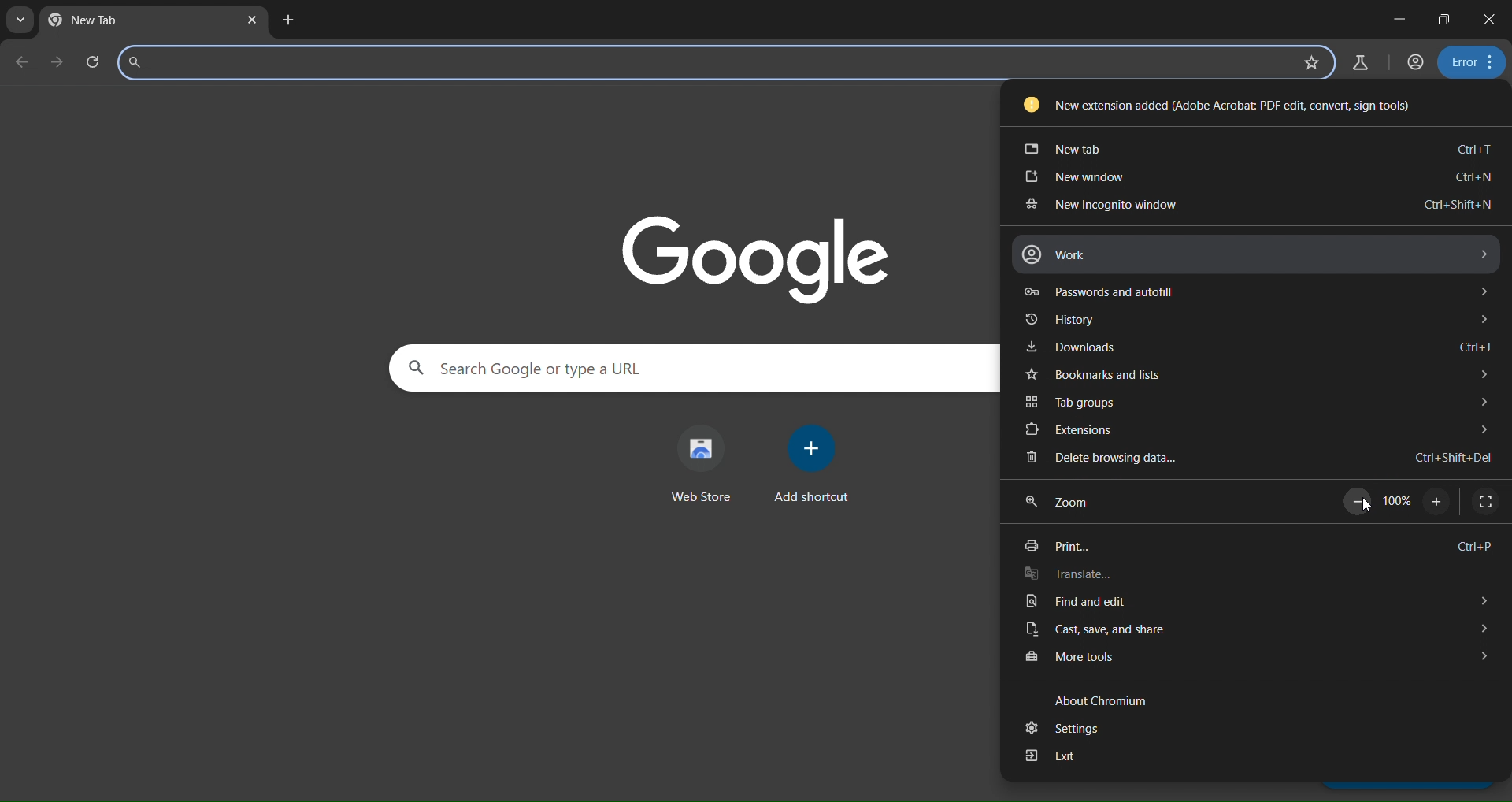  What do you see at coordinates (1258, 658) in the screenshot?
I see `more tools` at bounding box center [1258, 658].